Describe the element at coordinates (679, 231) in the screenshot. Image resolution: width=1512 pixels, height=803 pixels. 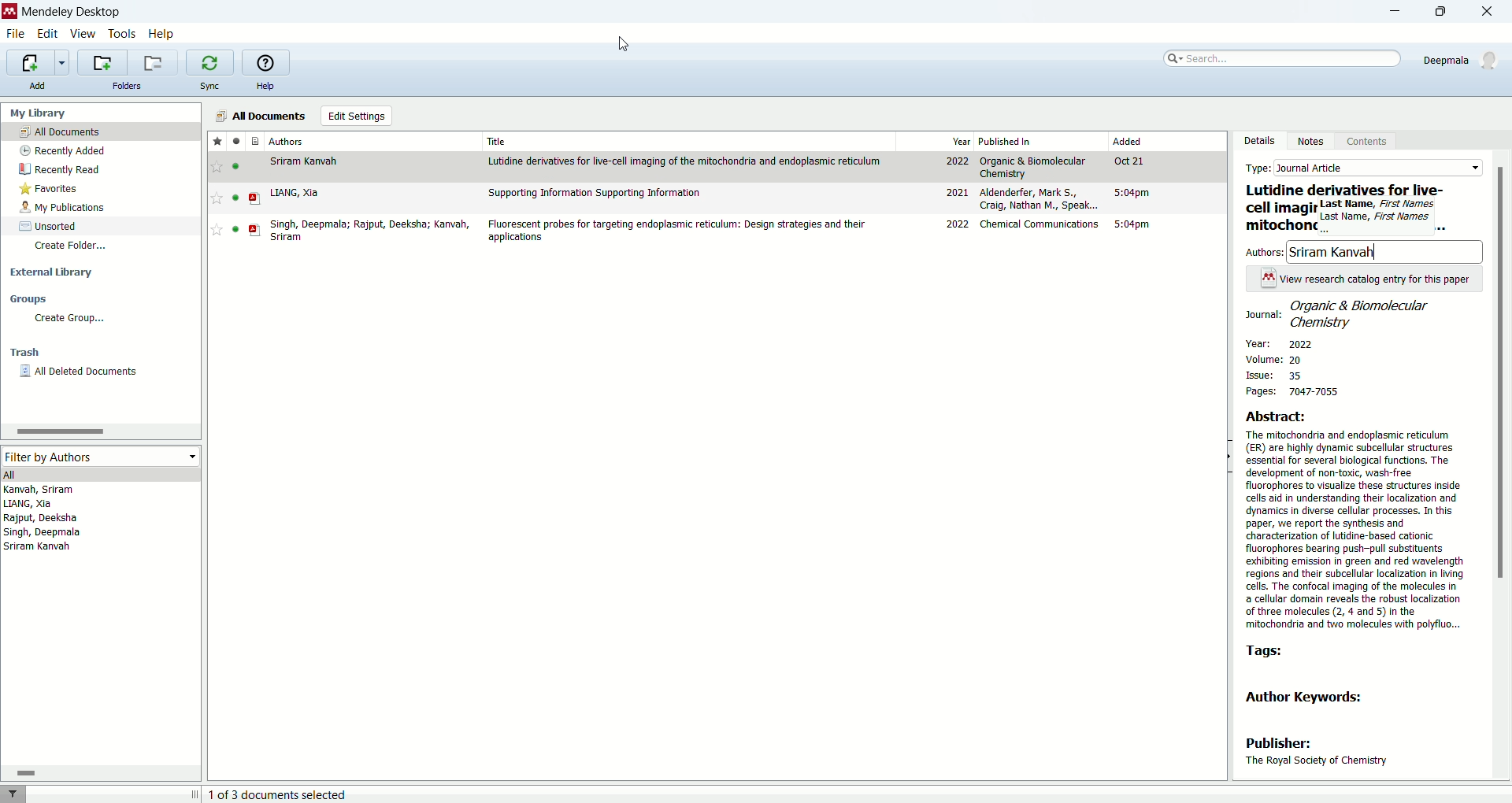
I see `Flourescent probes for targeting endoplasmic reticulum: Design strategies and their applications` at that location.